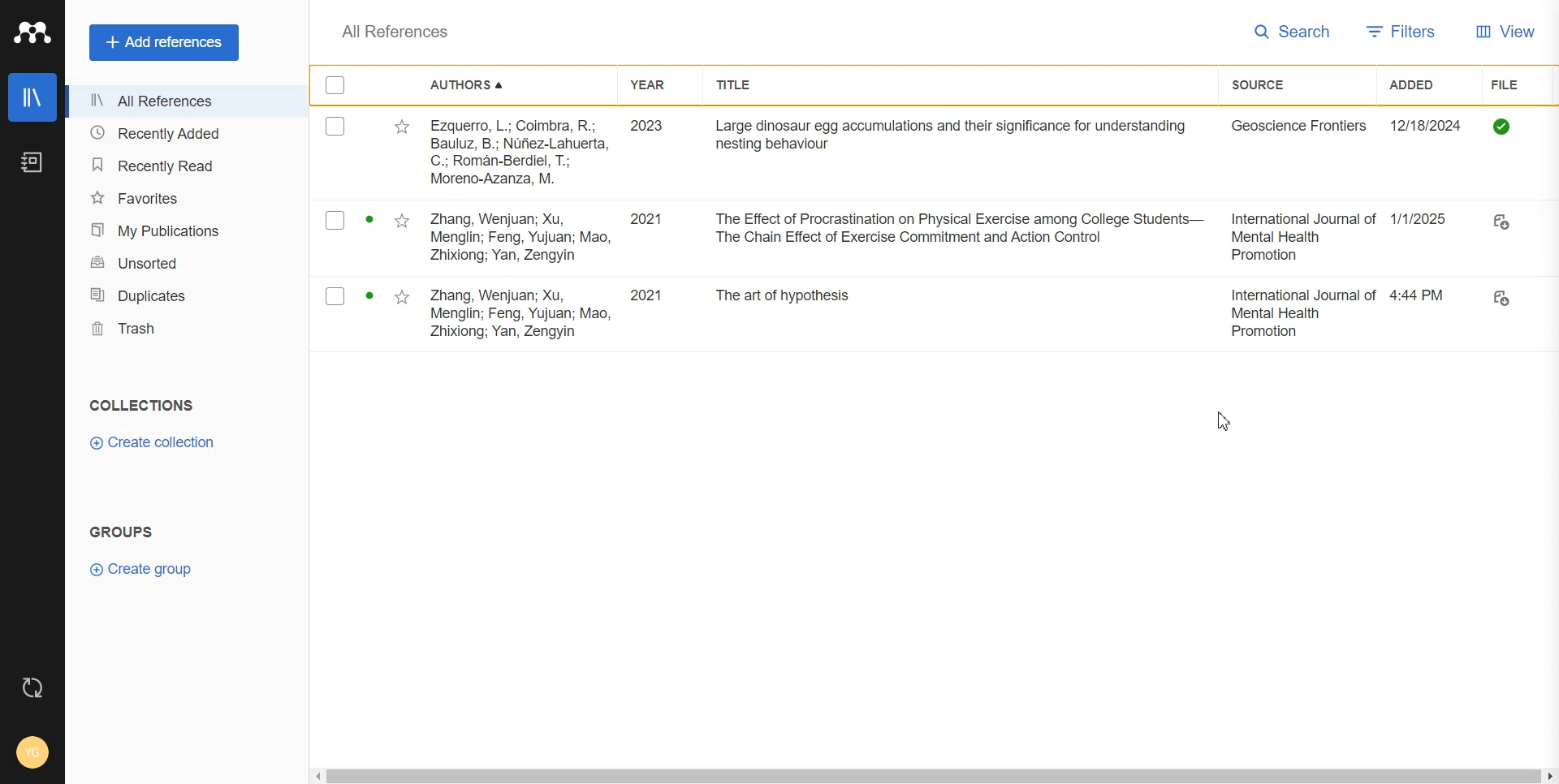  What do you see at coordinates (1457, 124) in the screenshot?
I see `Date` at bounding box center [1457, 124].